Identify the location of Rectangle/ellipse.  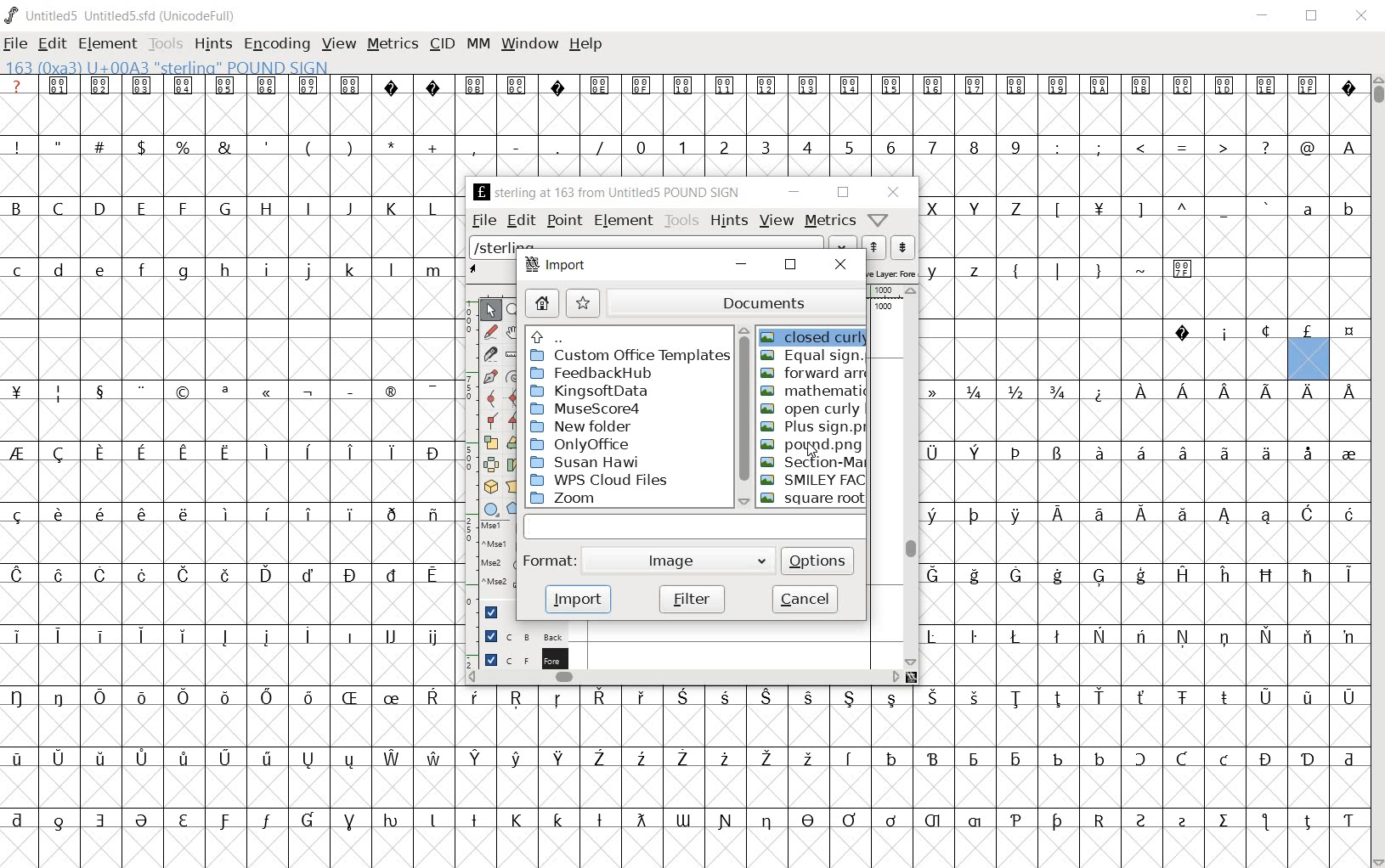
(493, 509).